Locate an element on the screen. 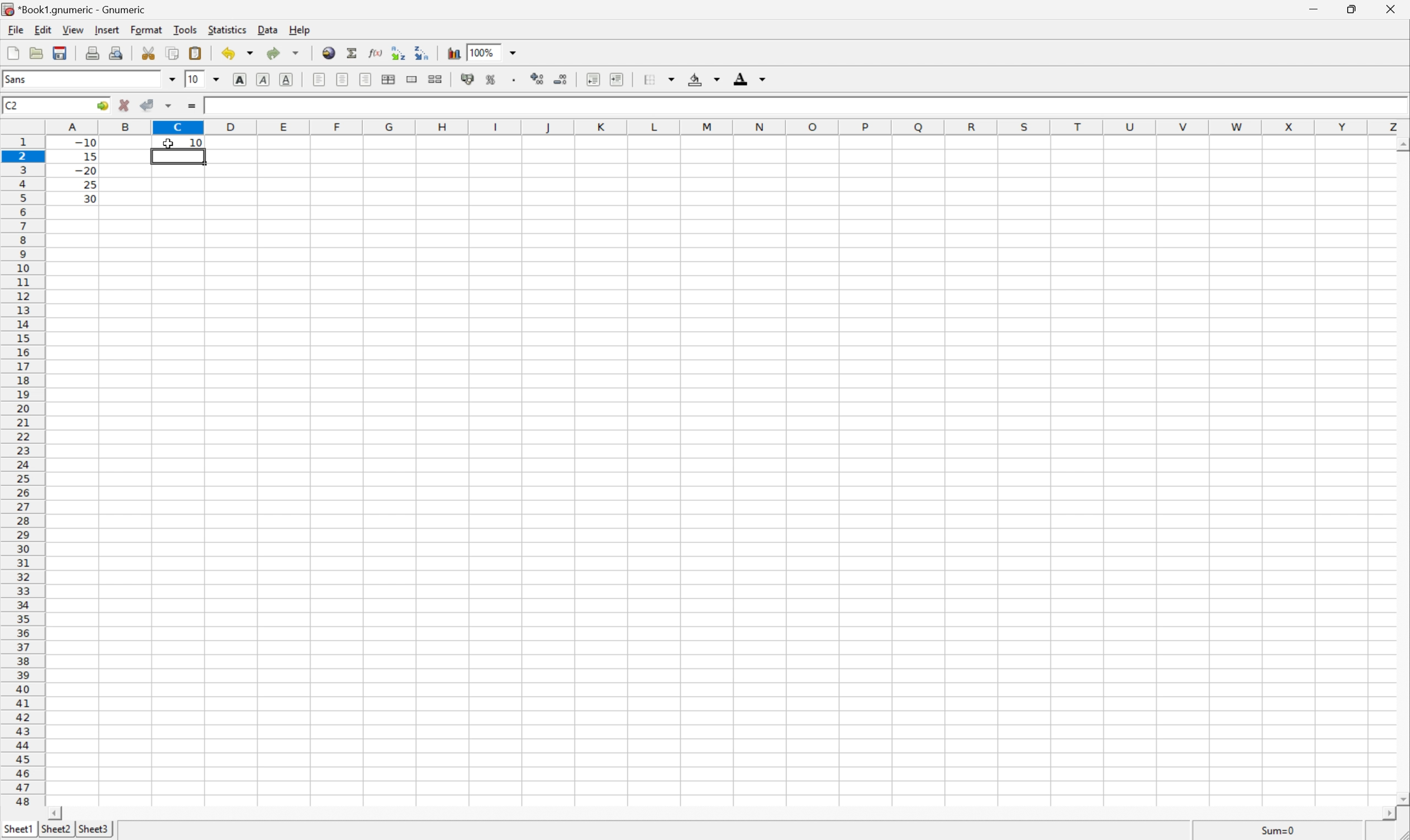 The height and width of the screenshot is (840, 1410). Edit is located at coordinates (44, 28).